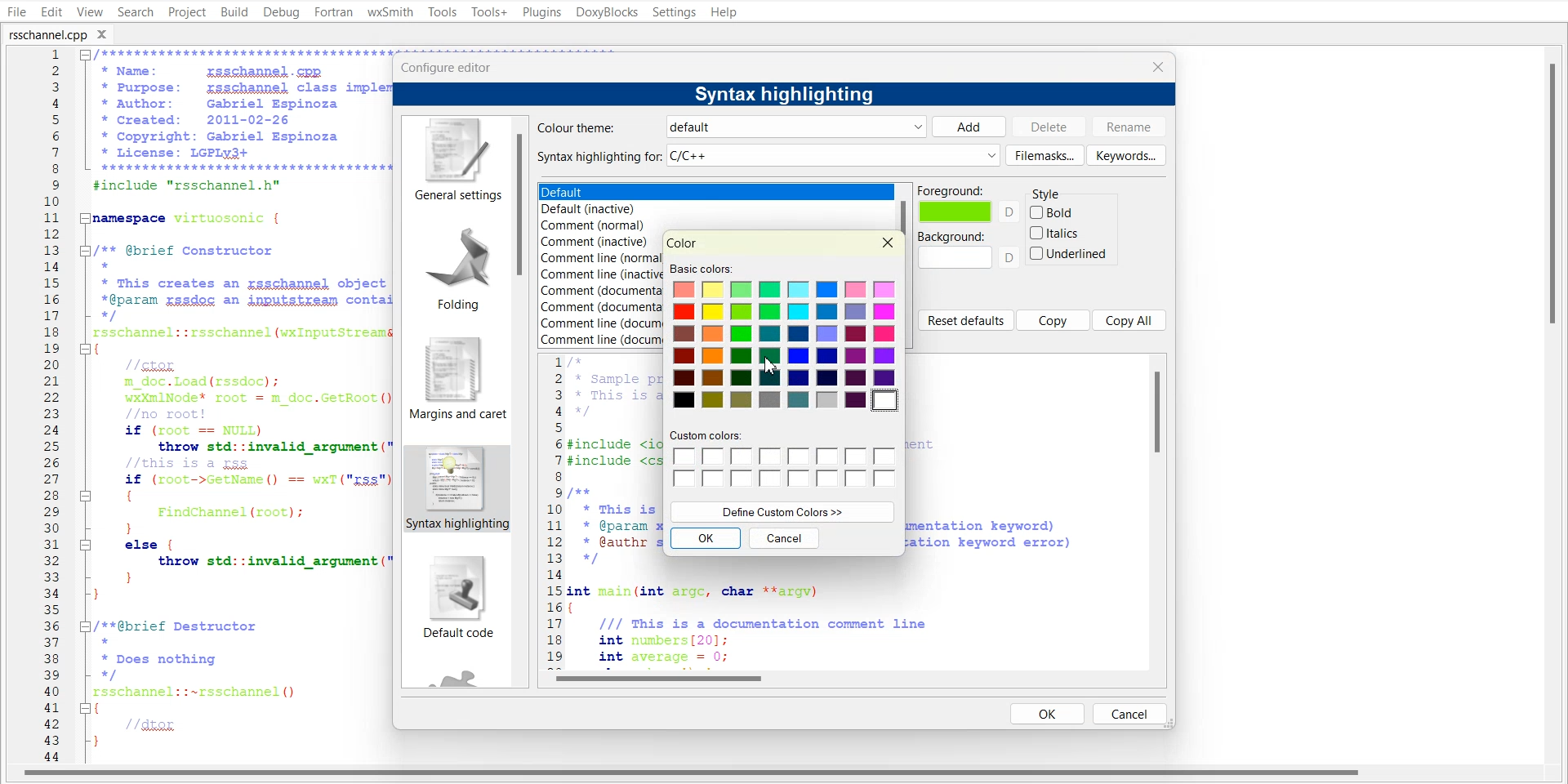  Describe the element at coordinates (522, 402) in the screenshot. I see `Vertical scroll bar` at that location.